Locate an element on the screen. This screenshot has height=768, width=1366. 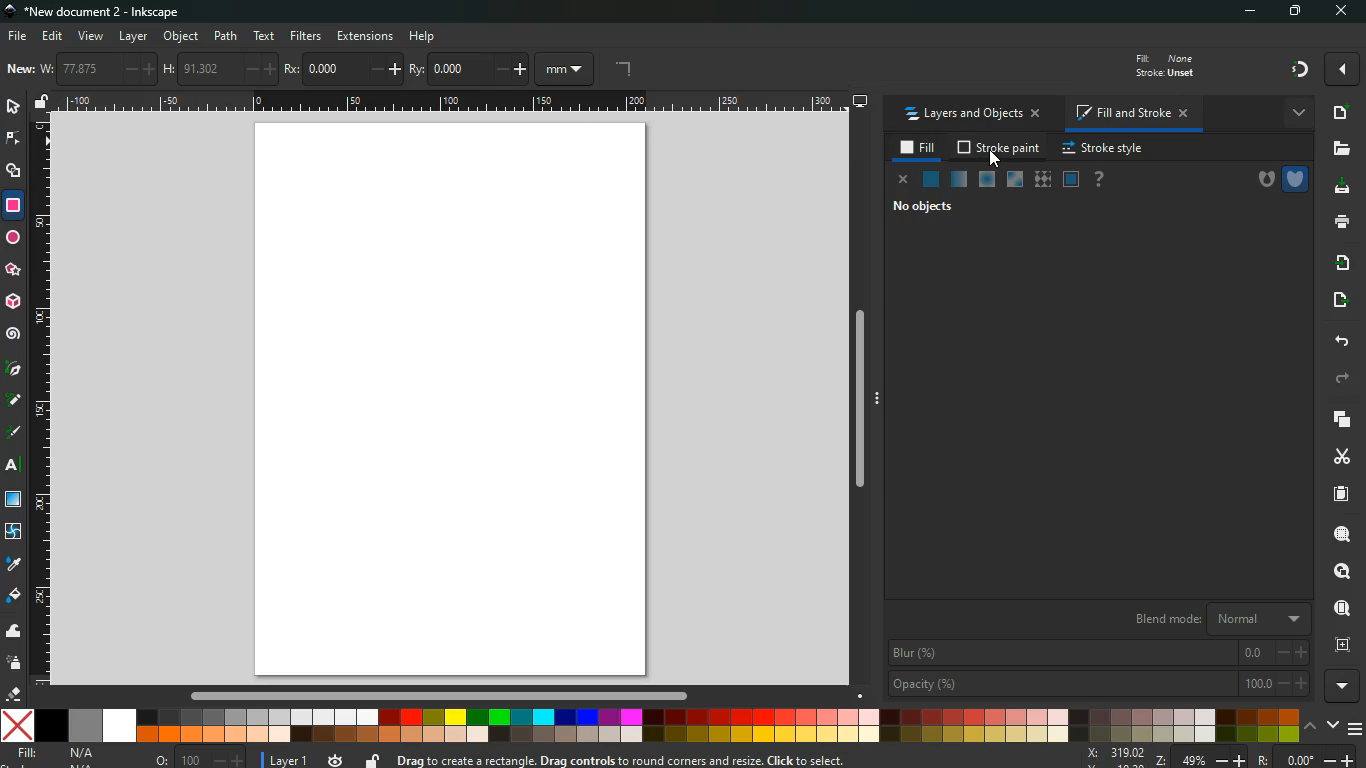
window is located at coordinates (1071, 180).